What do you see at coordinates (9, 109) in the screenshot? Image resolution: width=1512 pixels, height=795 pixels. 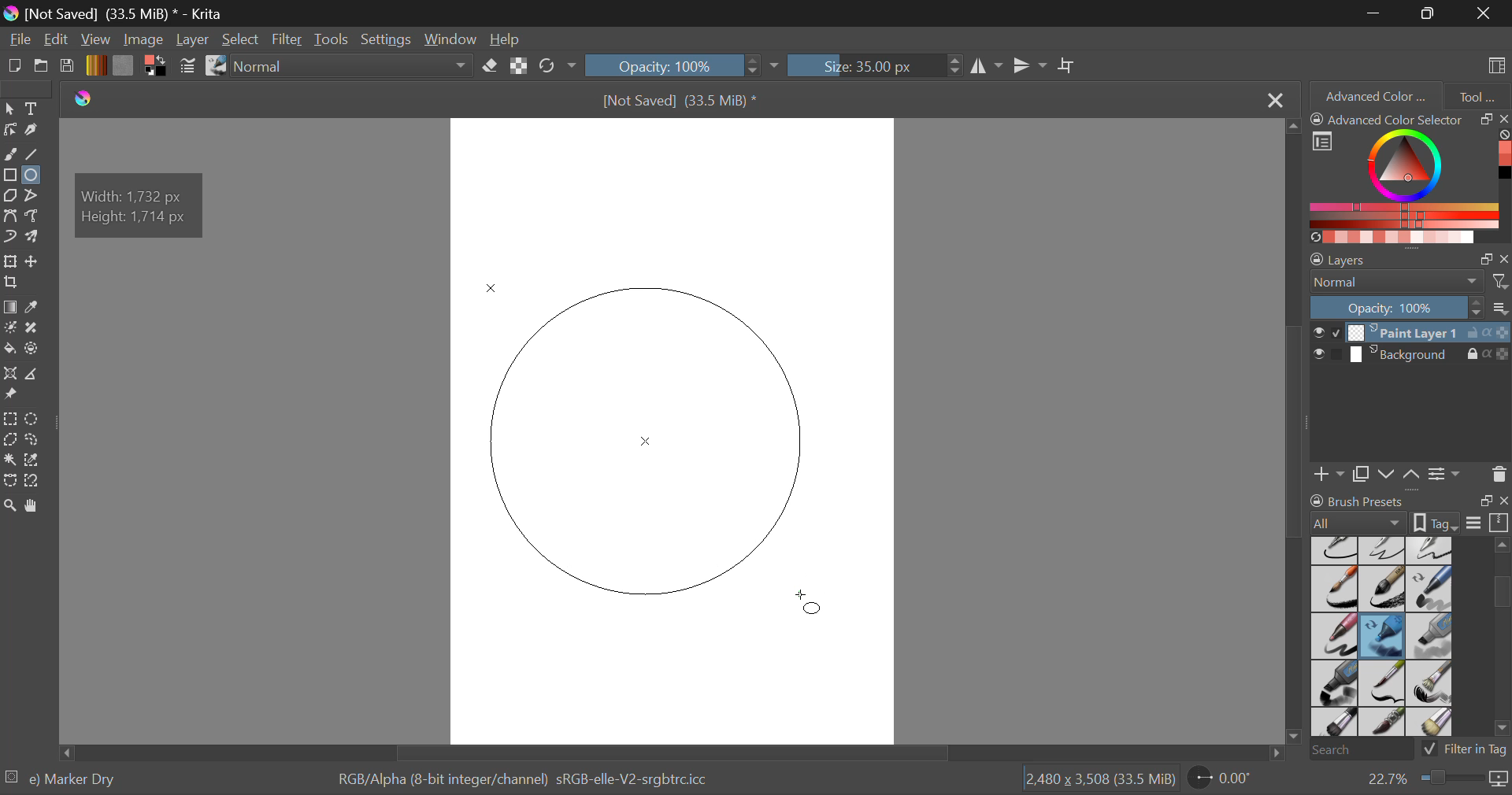 I see `Select` at bounding box center [9, 109].